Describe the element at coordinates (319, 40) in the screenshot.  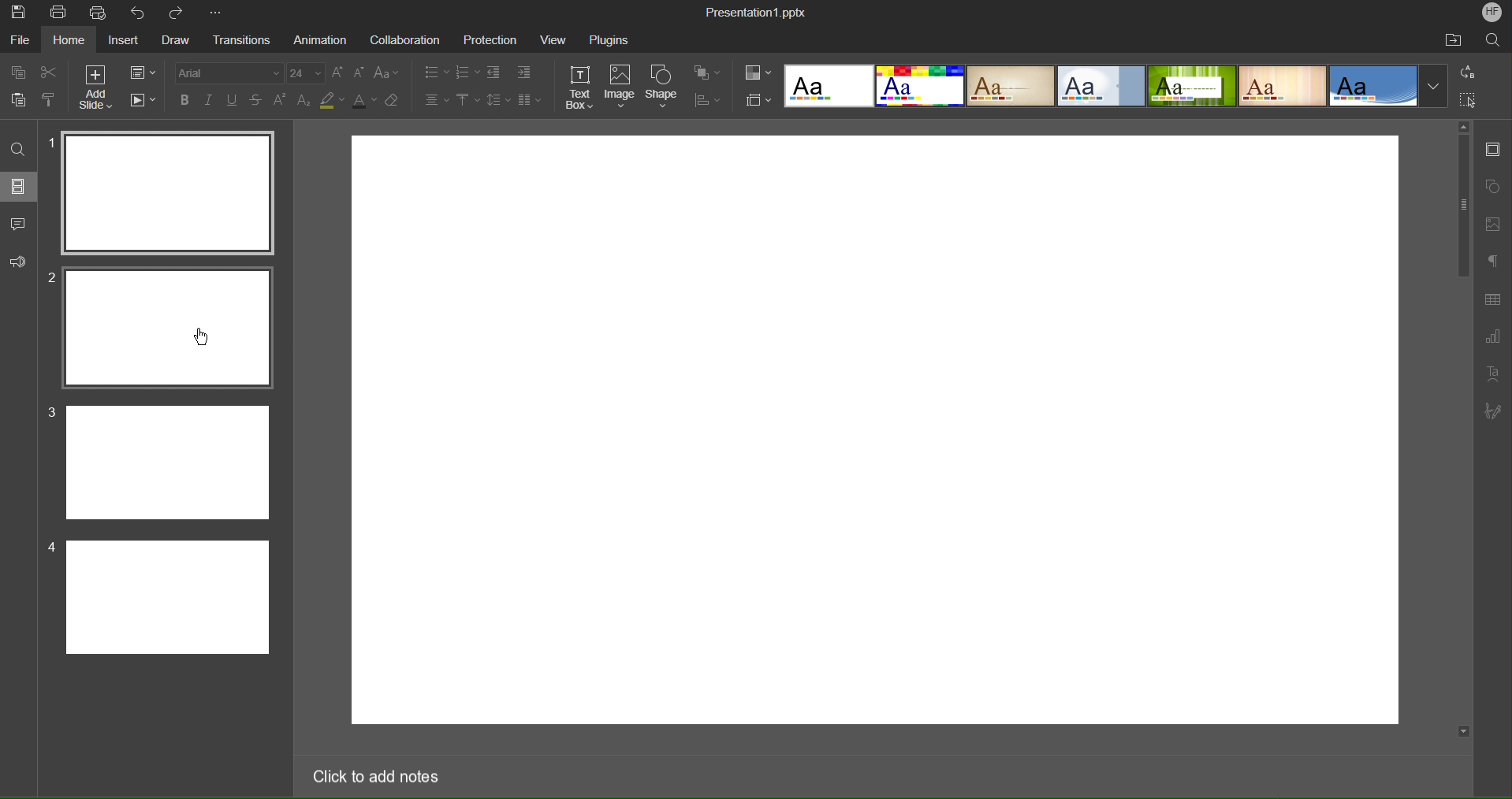
I see `Animation` at that location.